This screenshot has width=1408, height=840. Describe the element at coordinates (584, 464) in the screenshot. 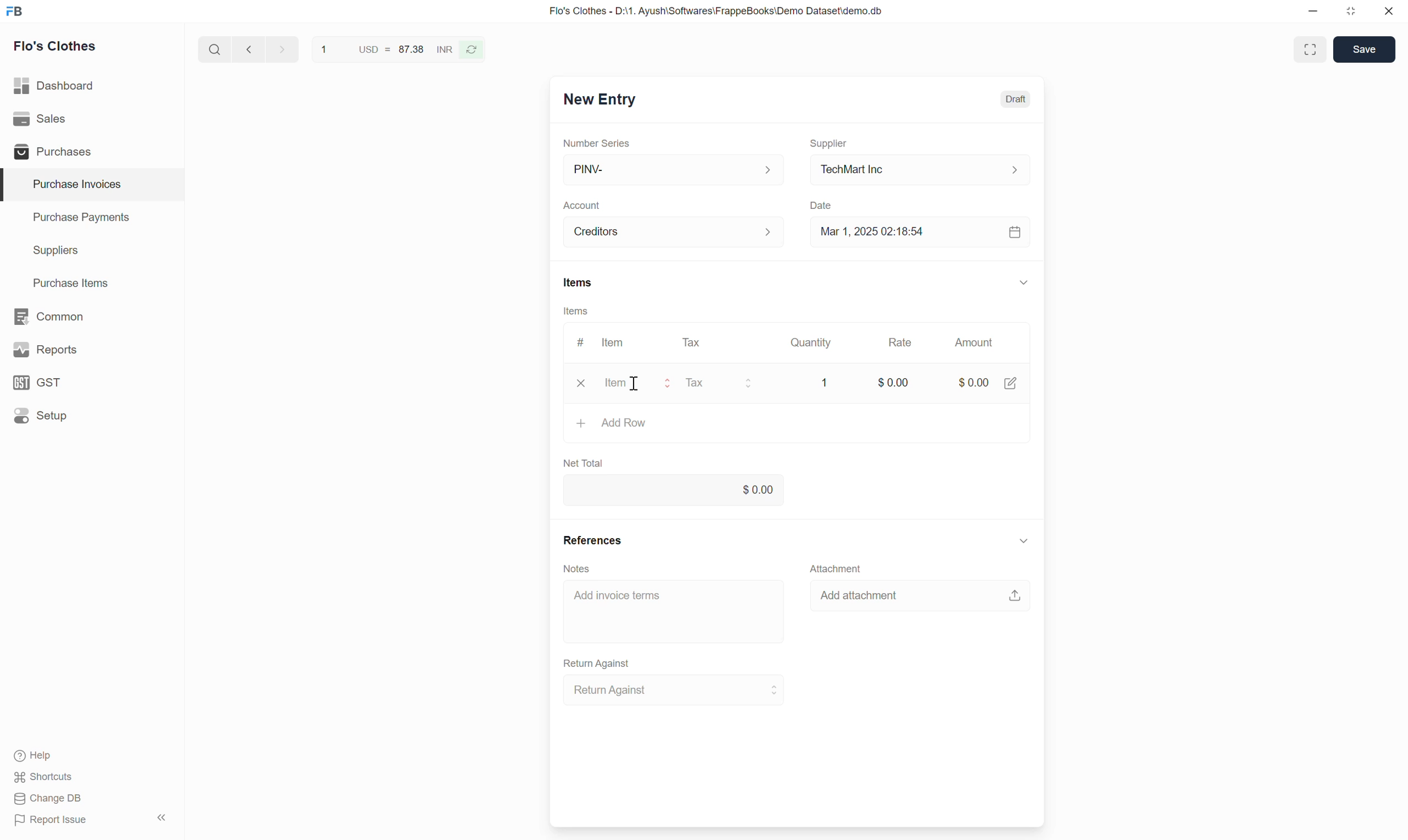

I see `Net Total` at that location.